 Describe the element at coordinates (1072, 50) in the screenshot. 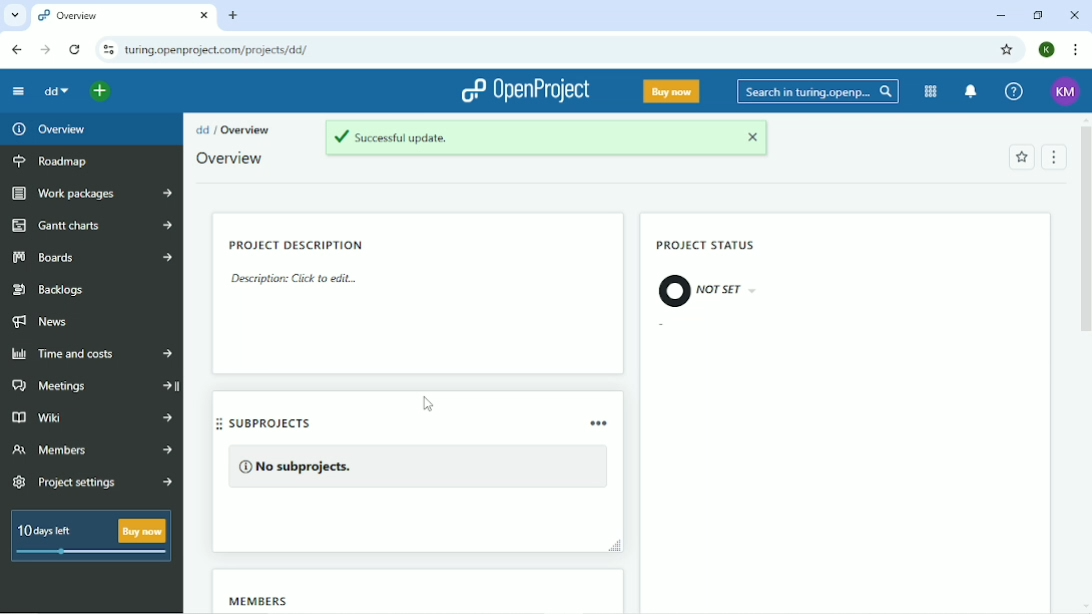

I see `Customize and control google chrome` at that location.